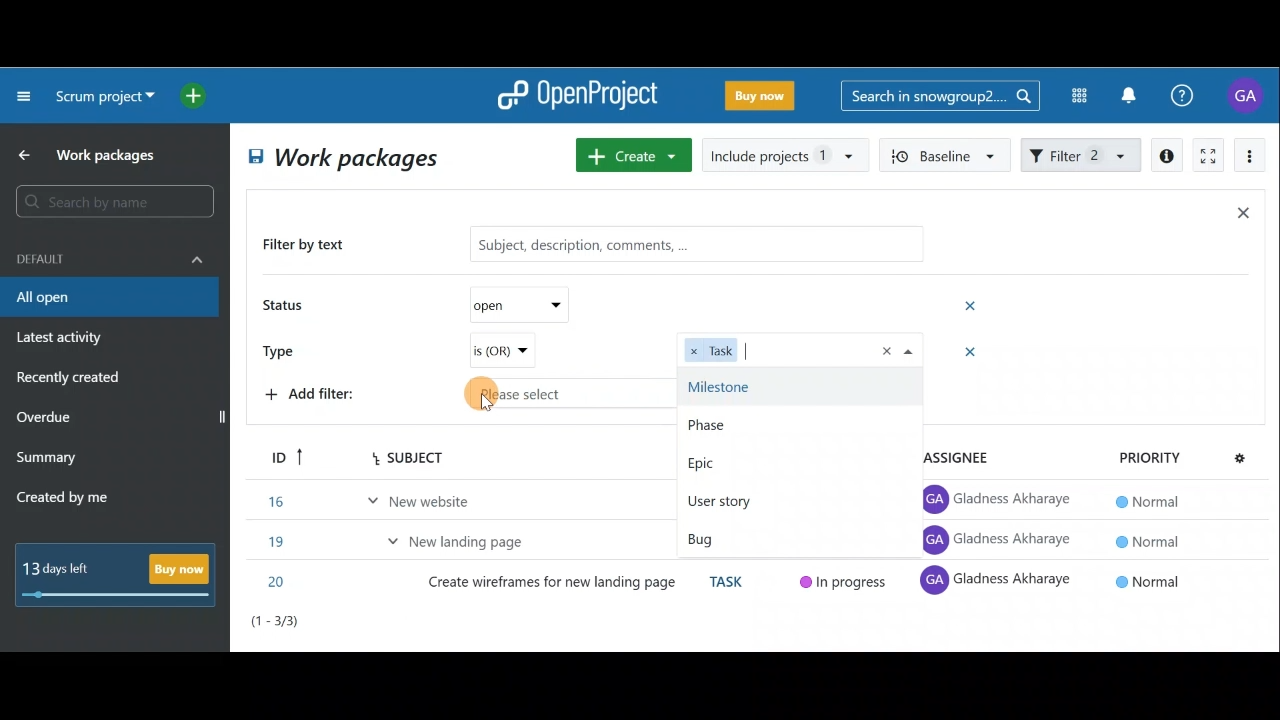 The width and height of the screenshot is (1280, 720). Describe the element at coordinates (46, 419) in the screenshot. I see `Overdue` at that location.